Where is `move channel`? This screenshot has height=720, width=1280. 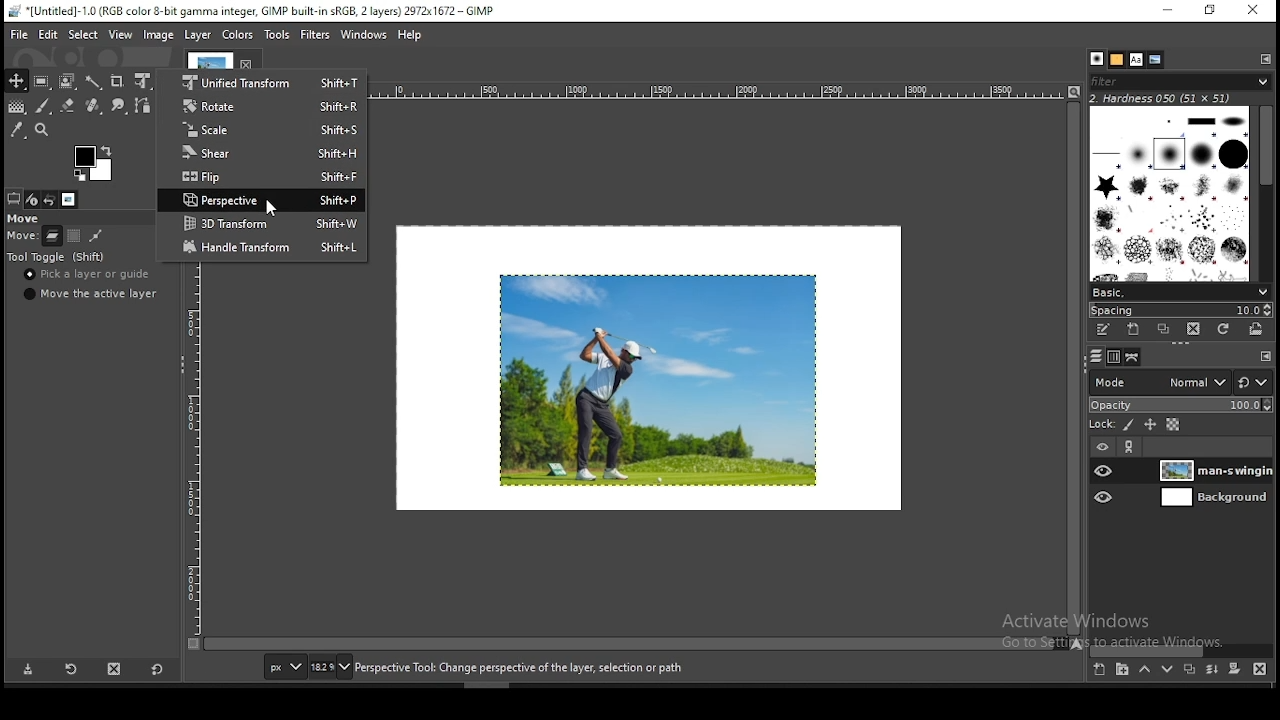 move channel is located at coordinates (75, 236).